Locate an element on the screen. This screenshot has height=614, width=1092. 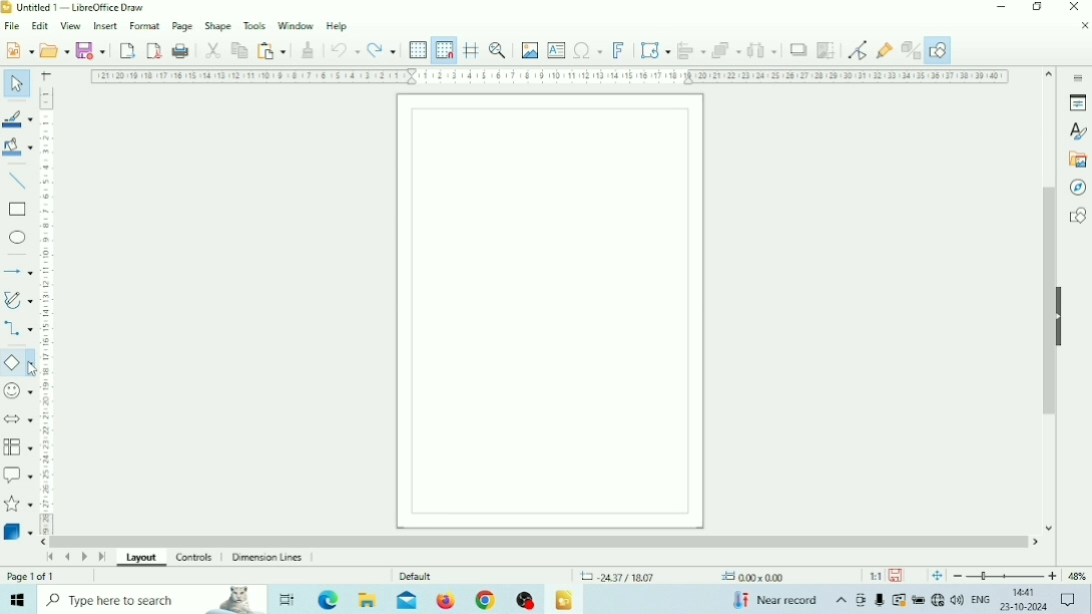
Cut is located at coordinates (213, 51).